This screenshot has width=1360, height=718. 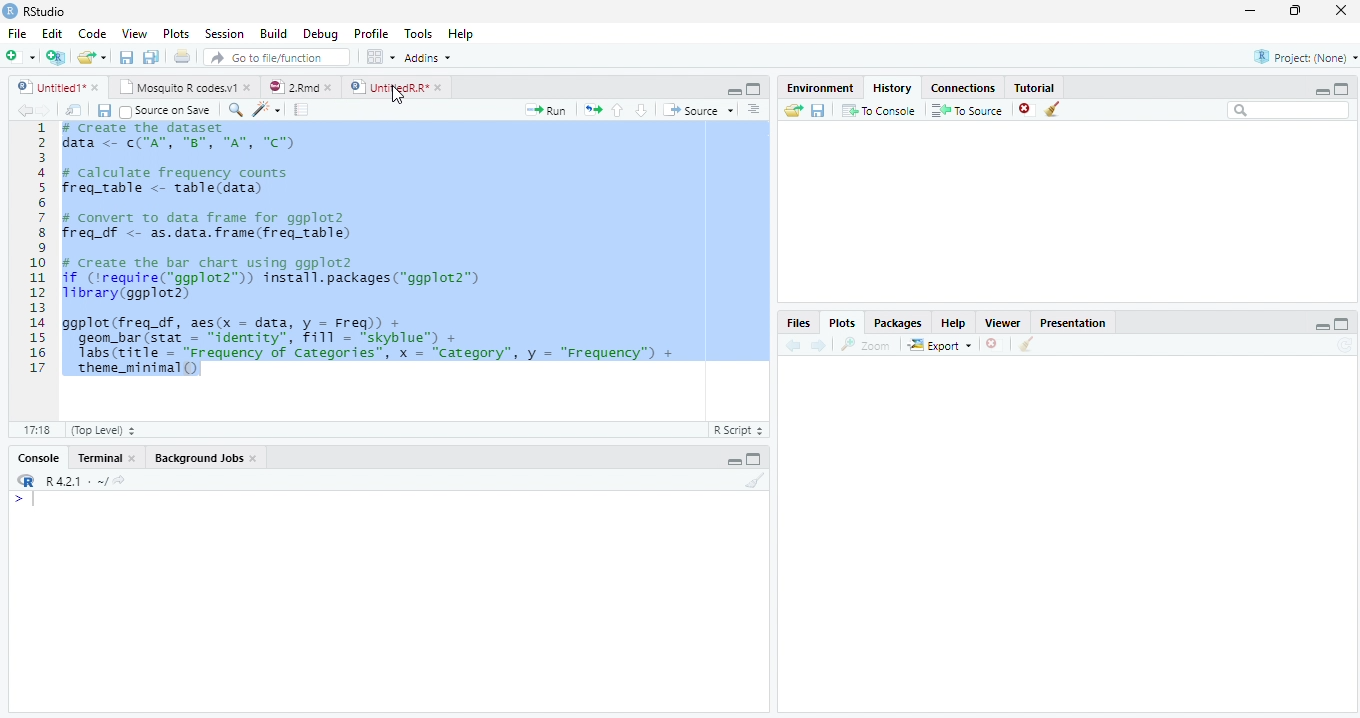 What do you see at coordinates (701, 111) in the screenshot?
I see `Source` at bounding box center [701, 111].